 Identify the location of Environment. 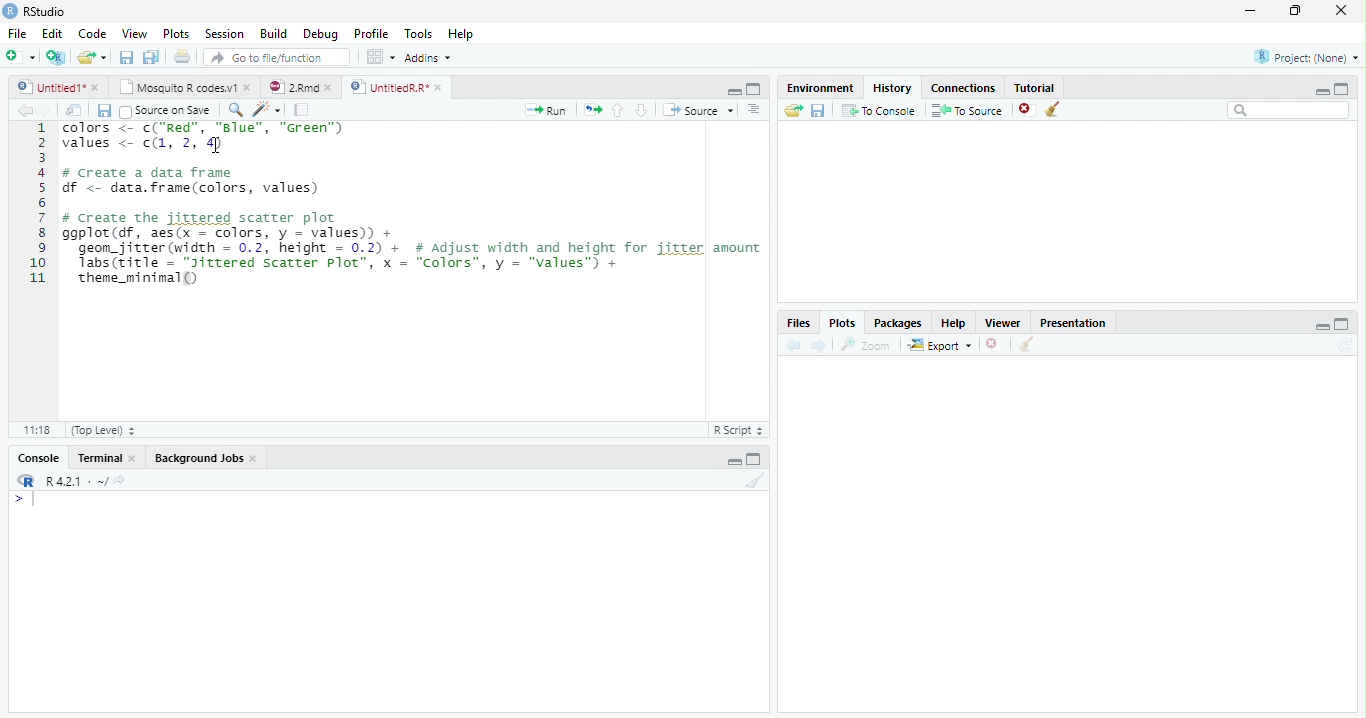
(819, 87).